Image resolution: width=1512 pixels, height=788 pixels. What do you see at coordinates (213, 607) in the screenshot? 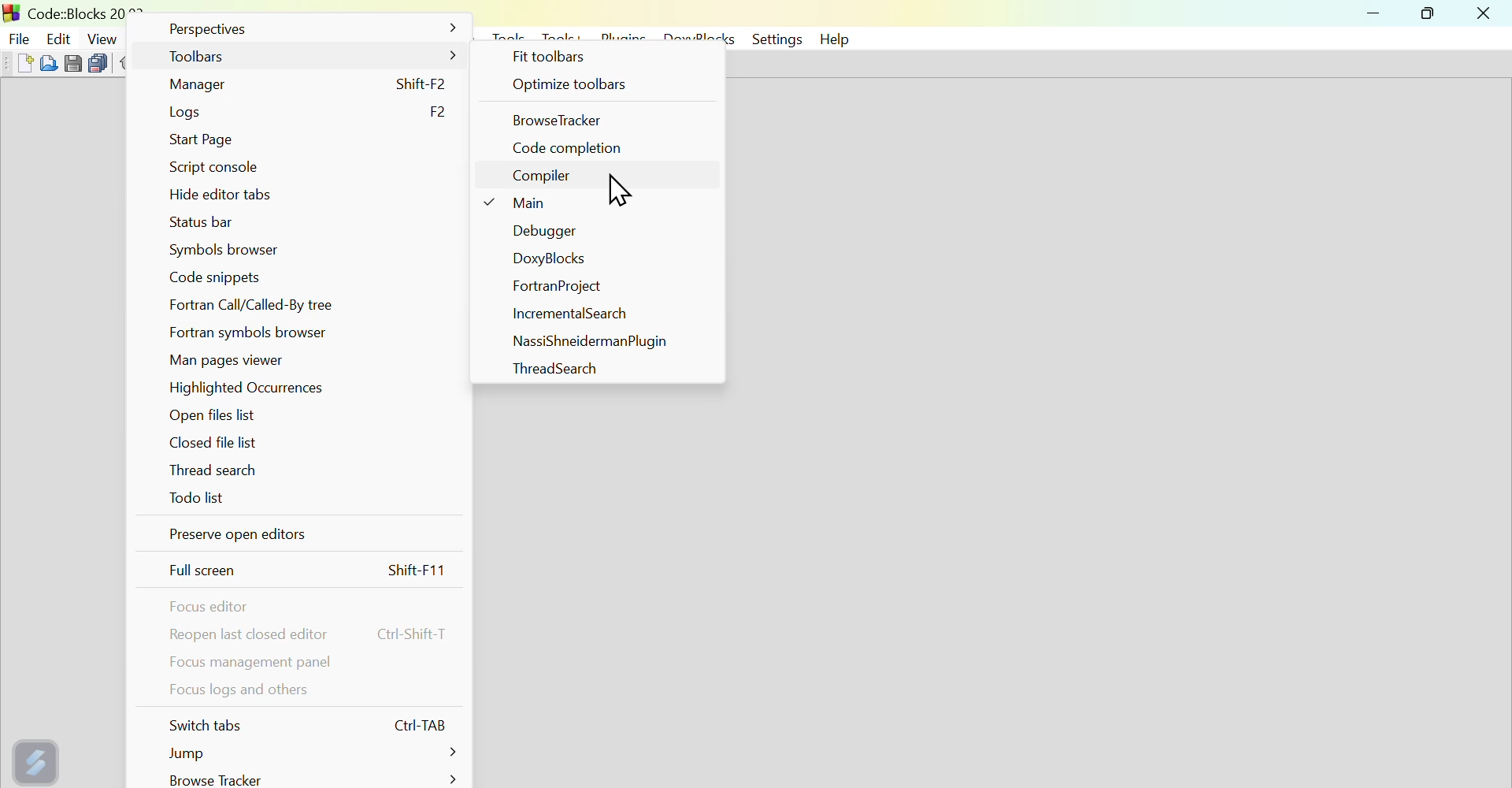
I see `Focus editor` at bounding box center [213, 607].